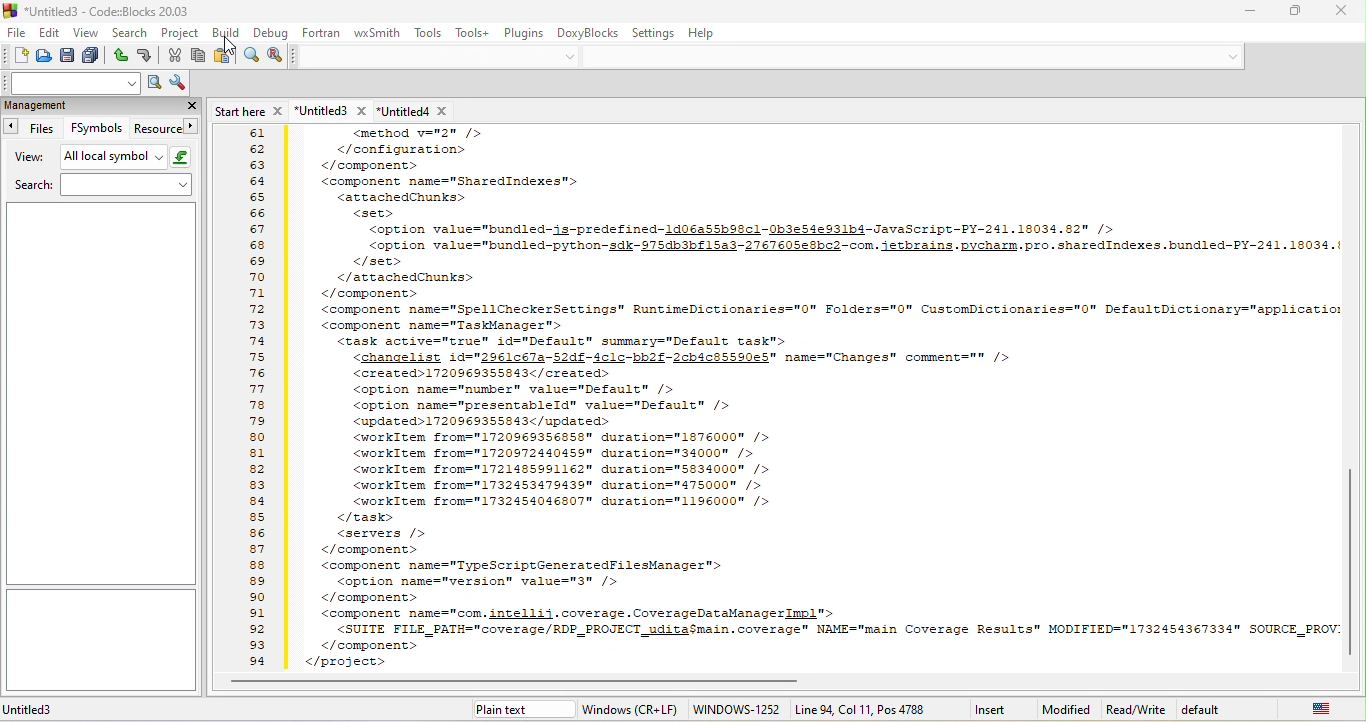 This screenshot has width=1366, height=722. I want to click on cursor, so click(223, 47).